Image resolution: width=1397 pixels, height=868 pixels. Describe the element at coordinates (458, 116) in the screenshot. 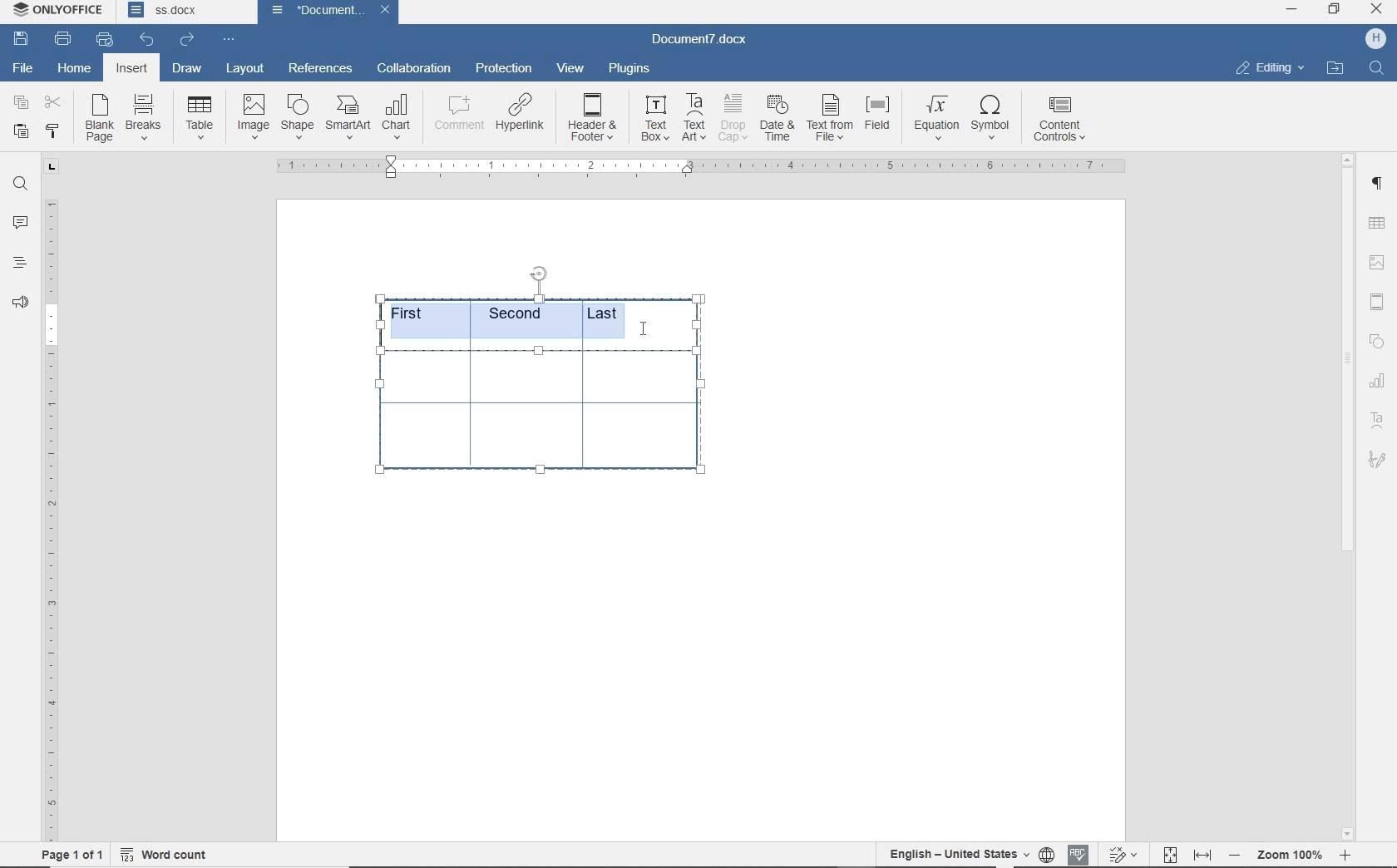

I see `comment` at that location.